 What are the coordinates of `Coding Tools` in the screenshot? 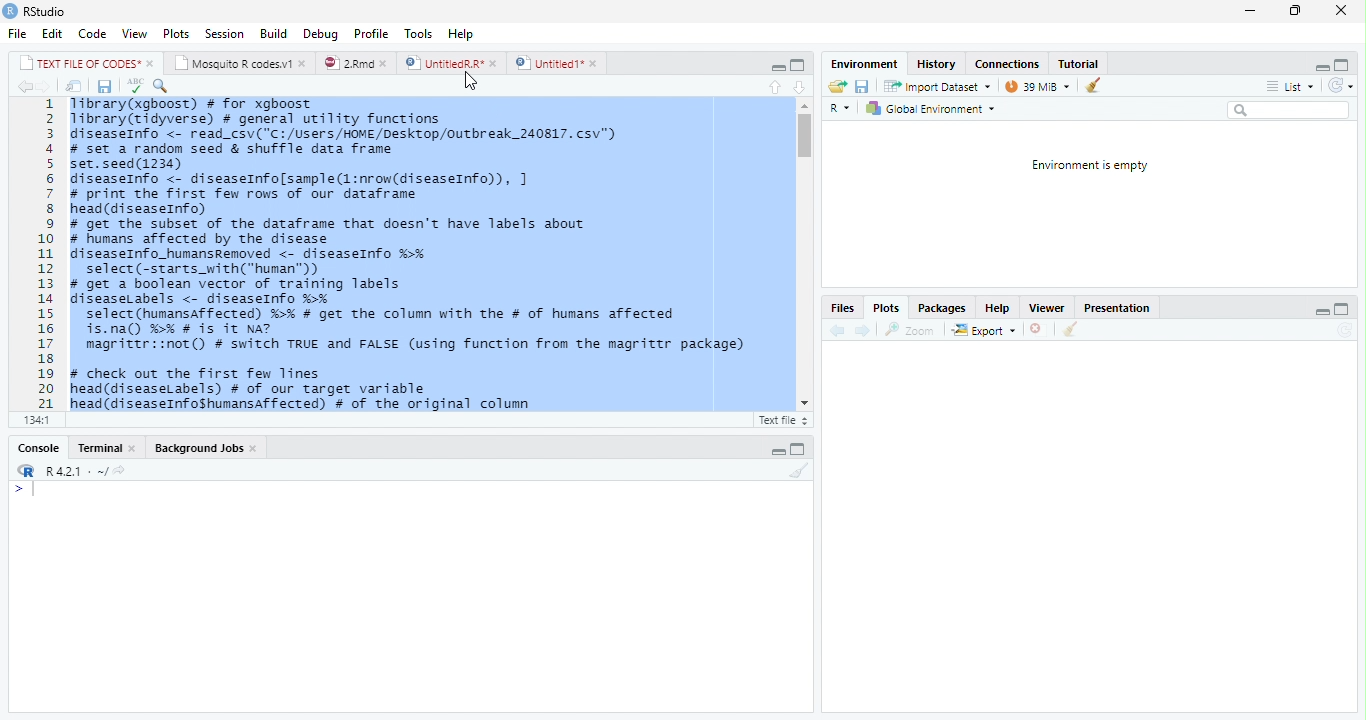 It's located at (266, 84).